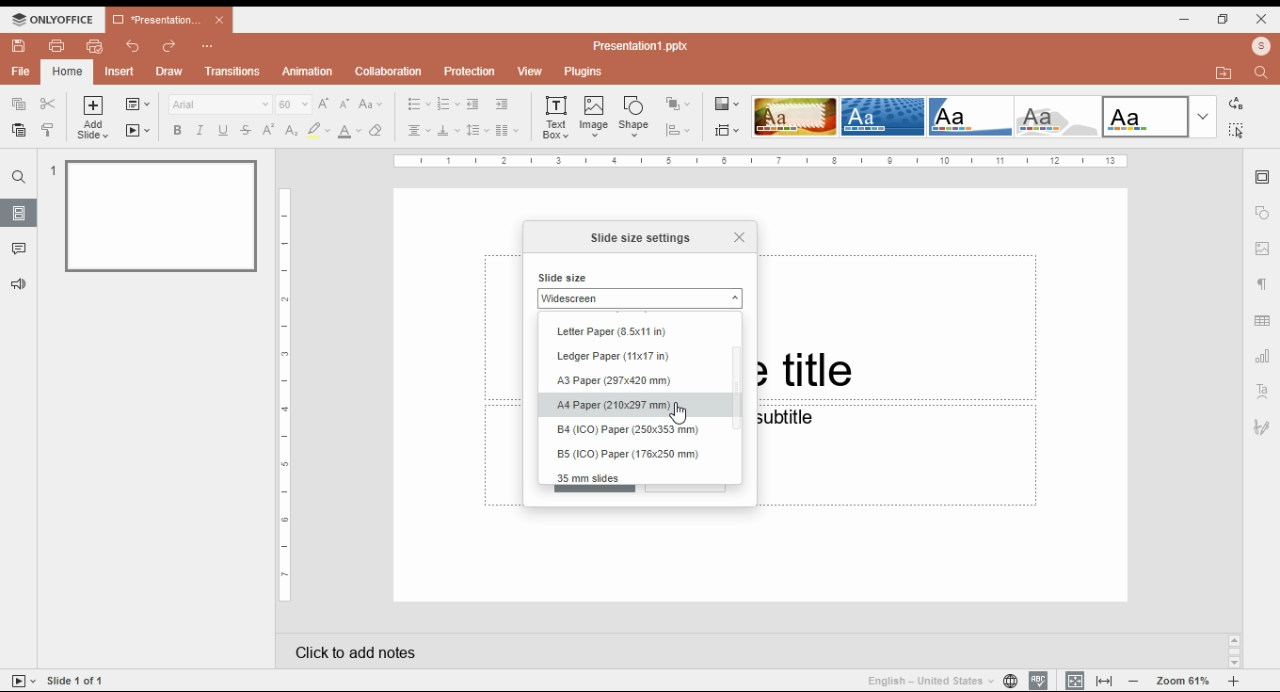  What do you see at coordinates (323, 103) in the screenshot?
I see `increment font size` at bounding box center [323, 103].